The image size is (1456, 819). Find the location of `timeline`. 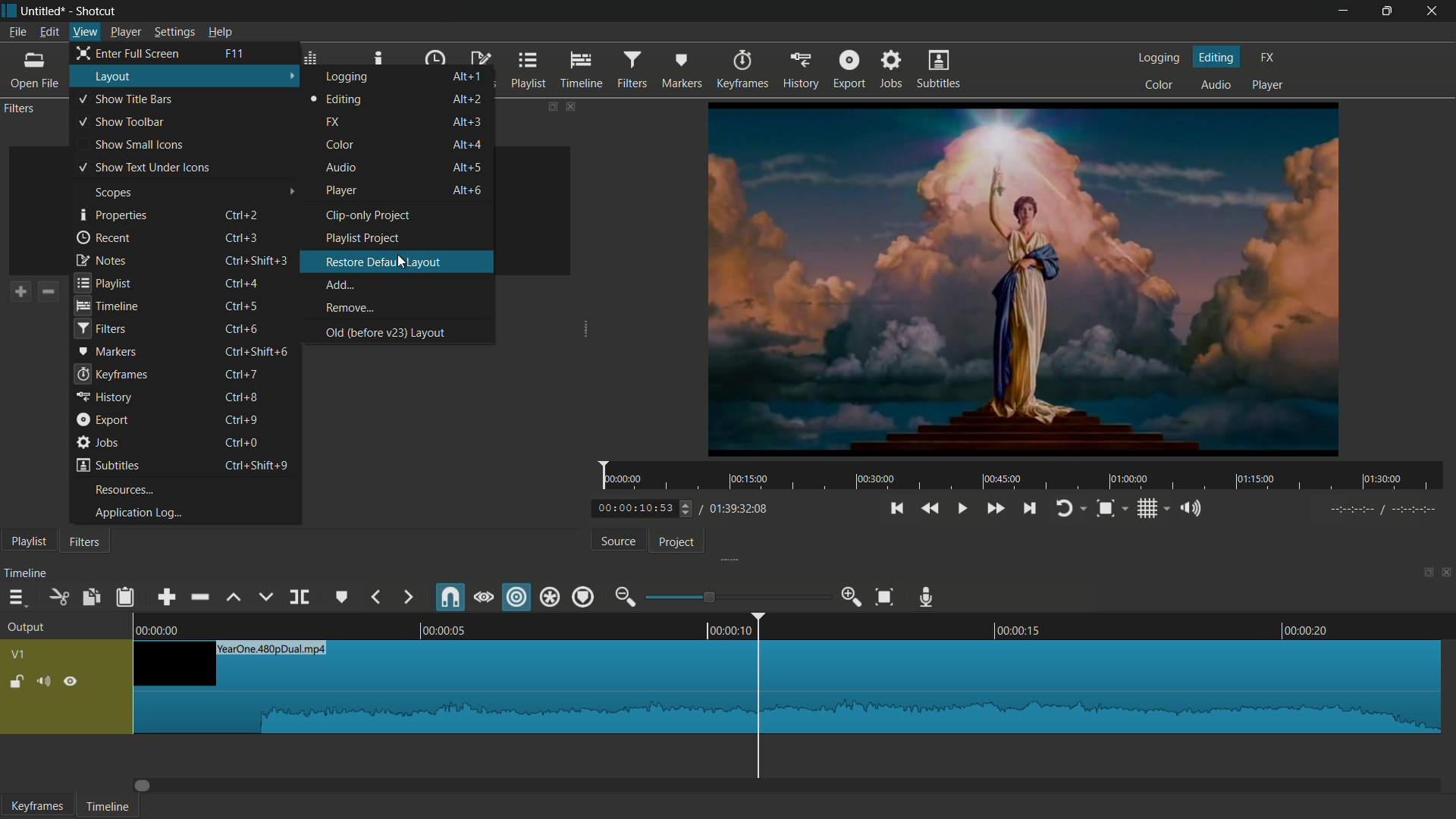

timeline is located at coordinates (27, 572).